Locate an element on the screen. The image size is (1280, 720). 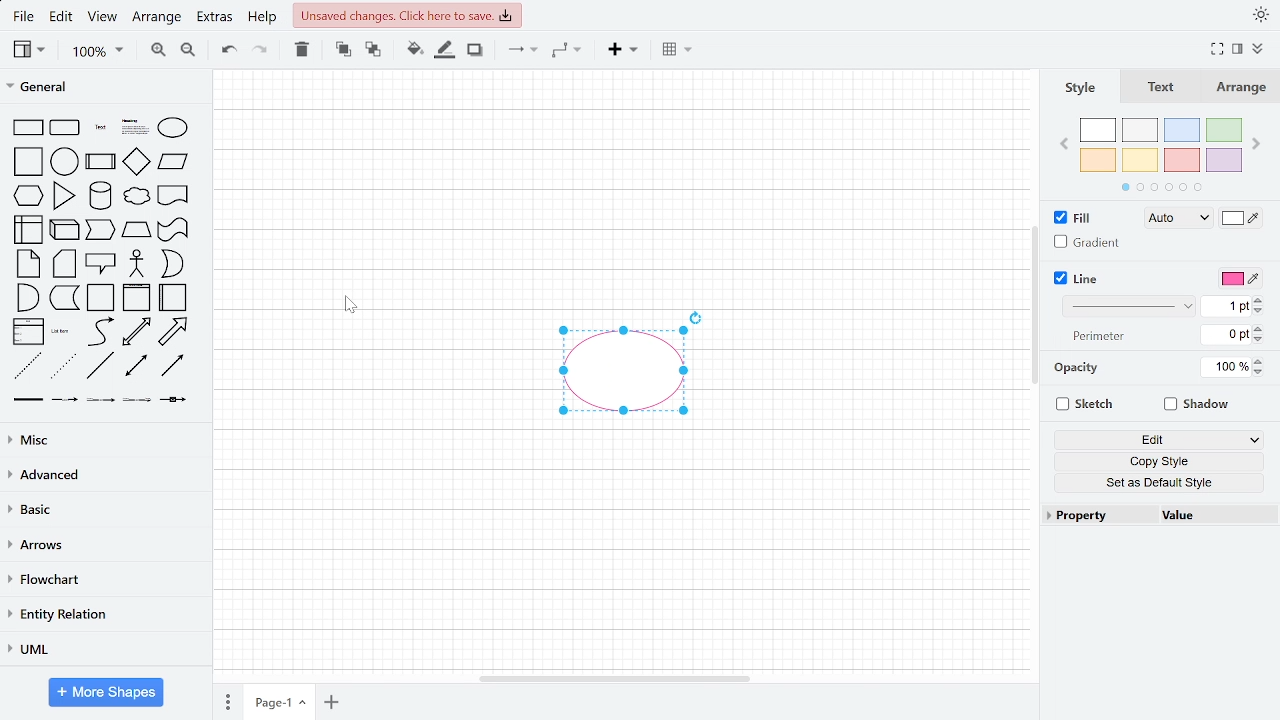
connector is located at coordinates (566, 51).